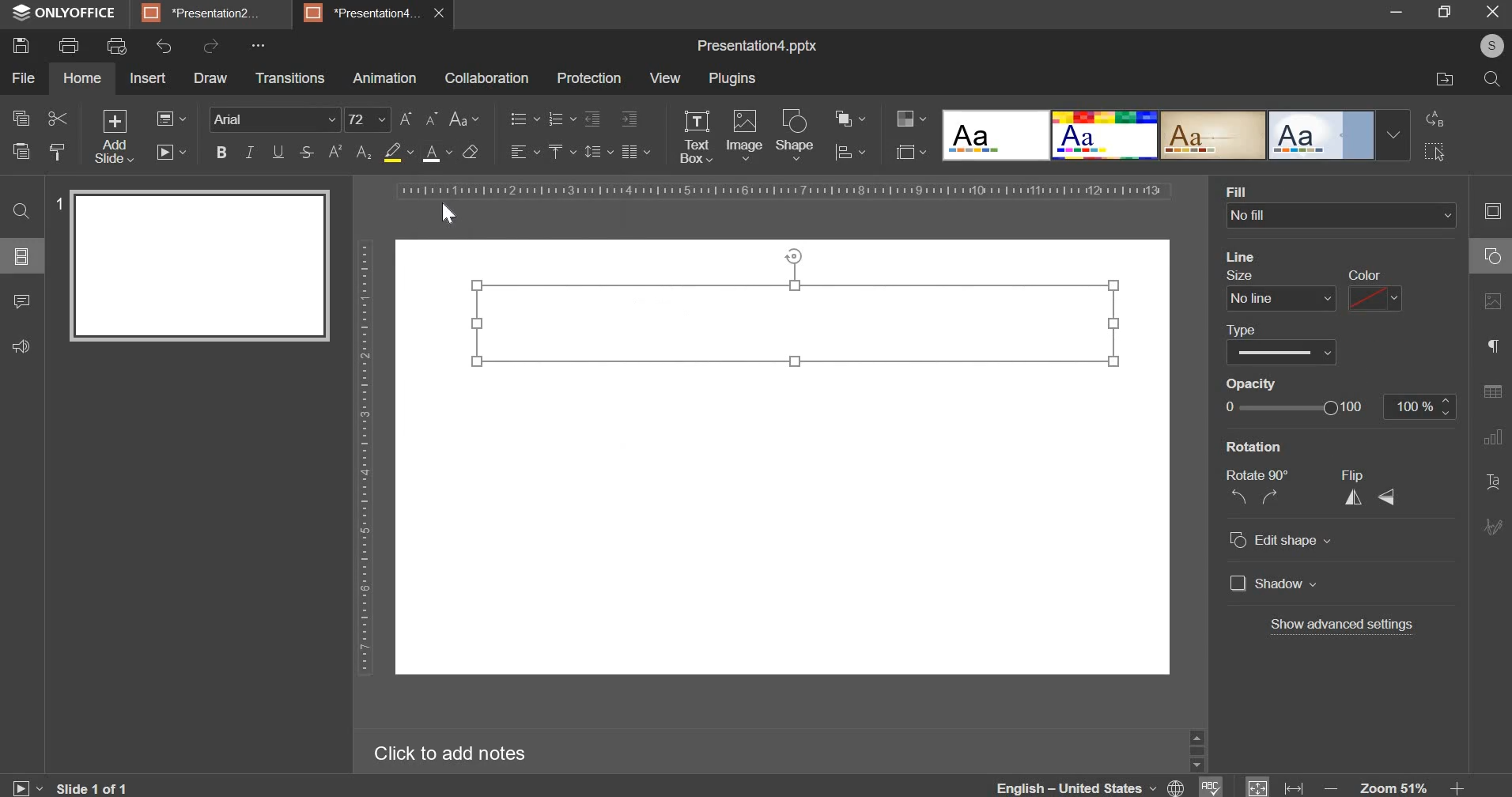 The image size is (1512, 797). Describe the element at coordinates (1176, 135) in the screenshot. I see `design` at that location.